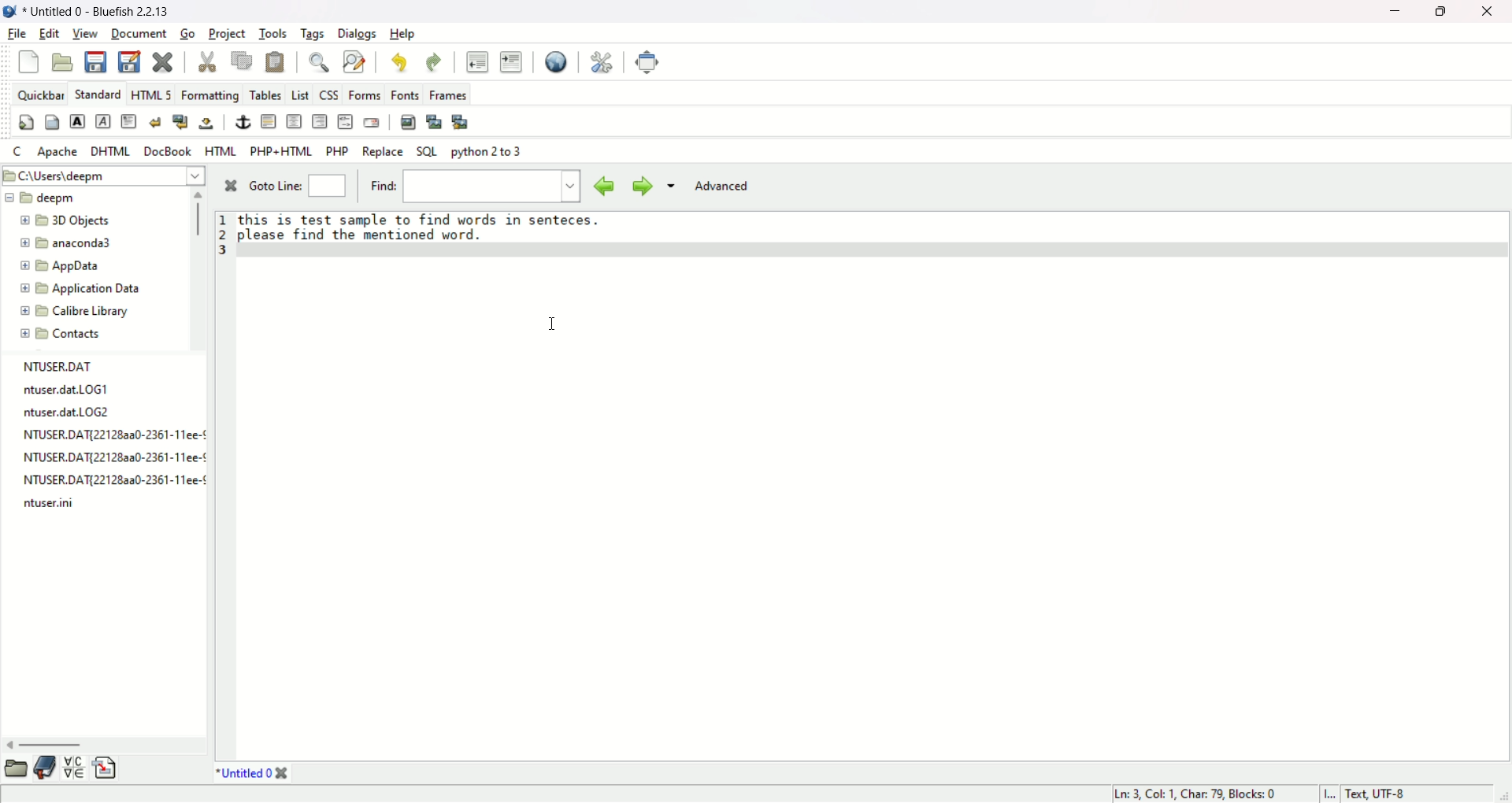  Describe the element at coordinates (669, 189) in the screenshot. I see `more options` at that location.